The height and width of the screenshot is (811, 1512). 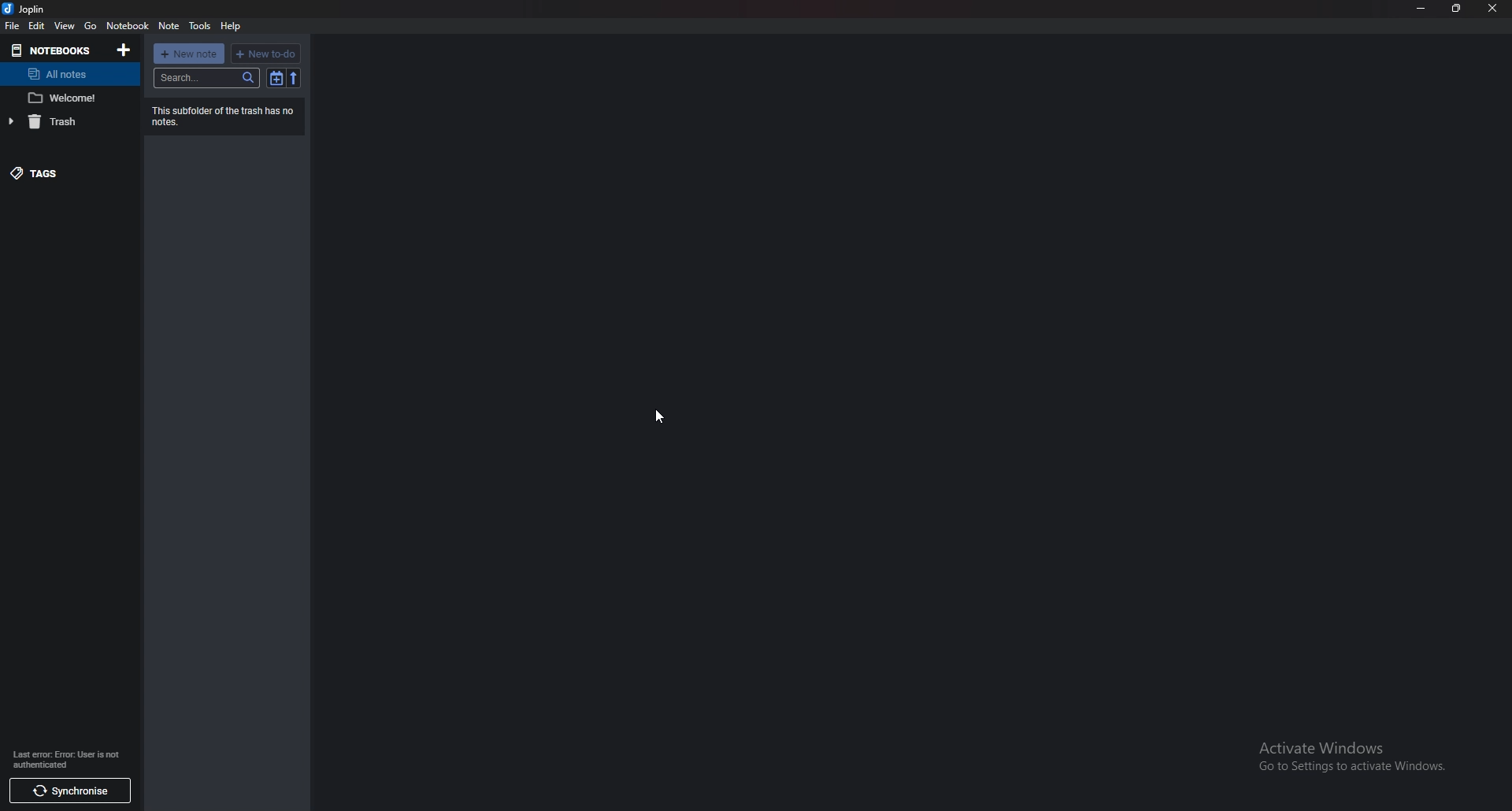 I want to click on Edit, so click(x=36, y=25).